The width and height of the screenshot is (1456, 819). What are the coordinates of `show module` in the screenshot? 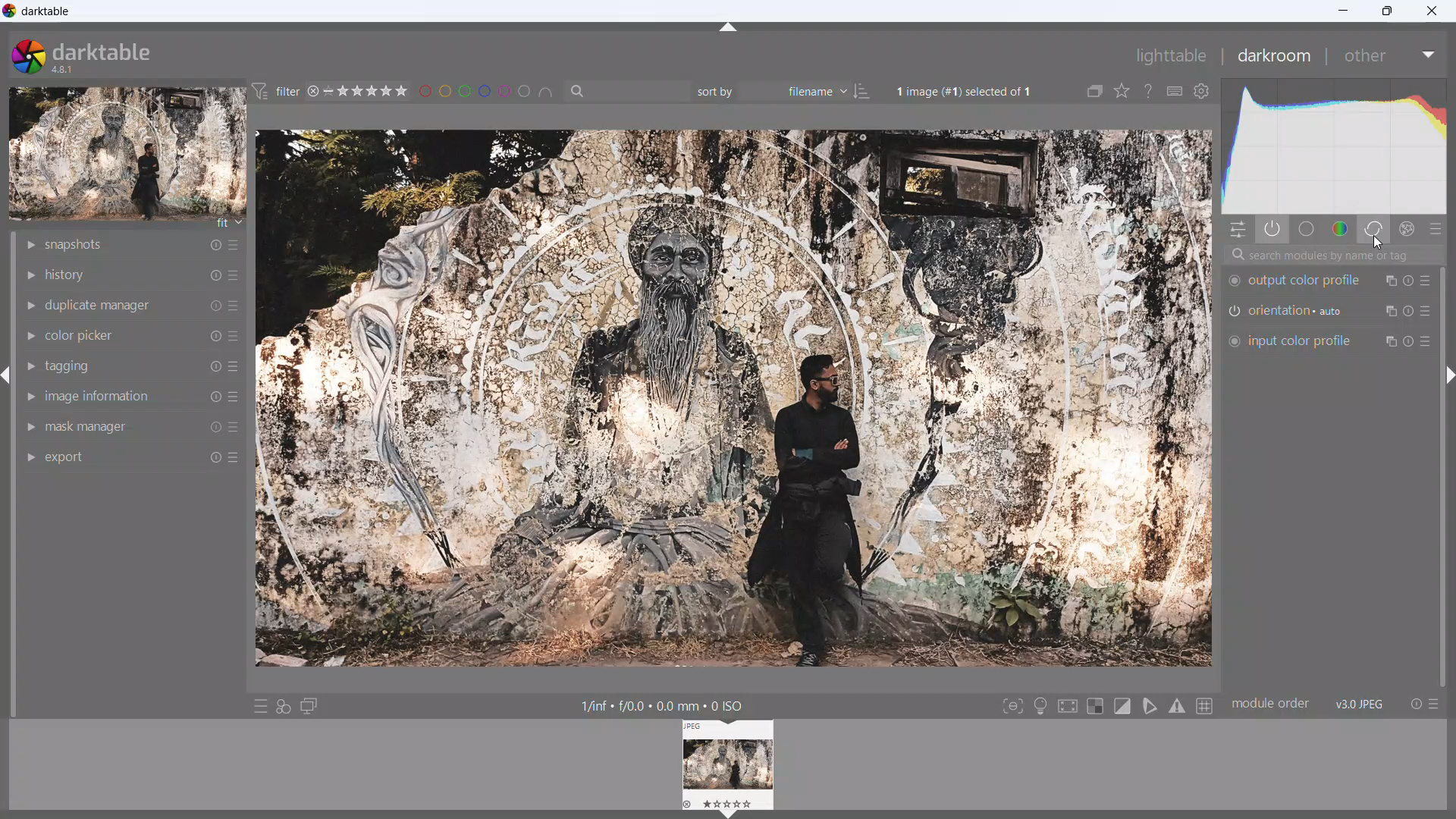 It's located at (31, 335).